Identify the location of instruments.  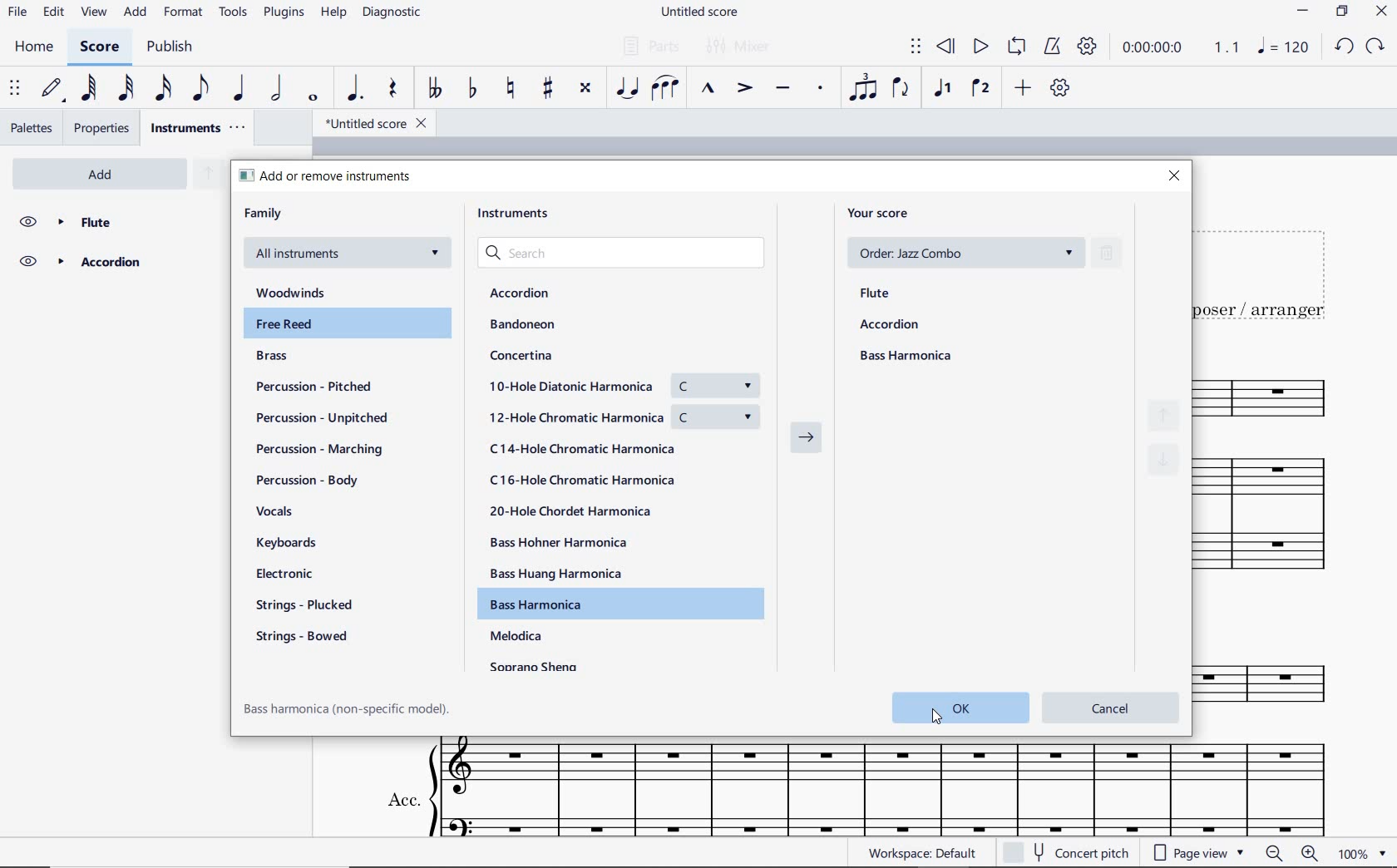
(518, 214).